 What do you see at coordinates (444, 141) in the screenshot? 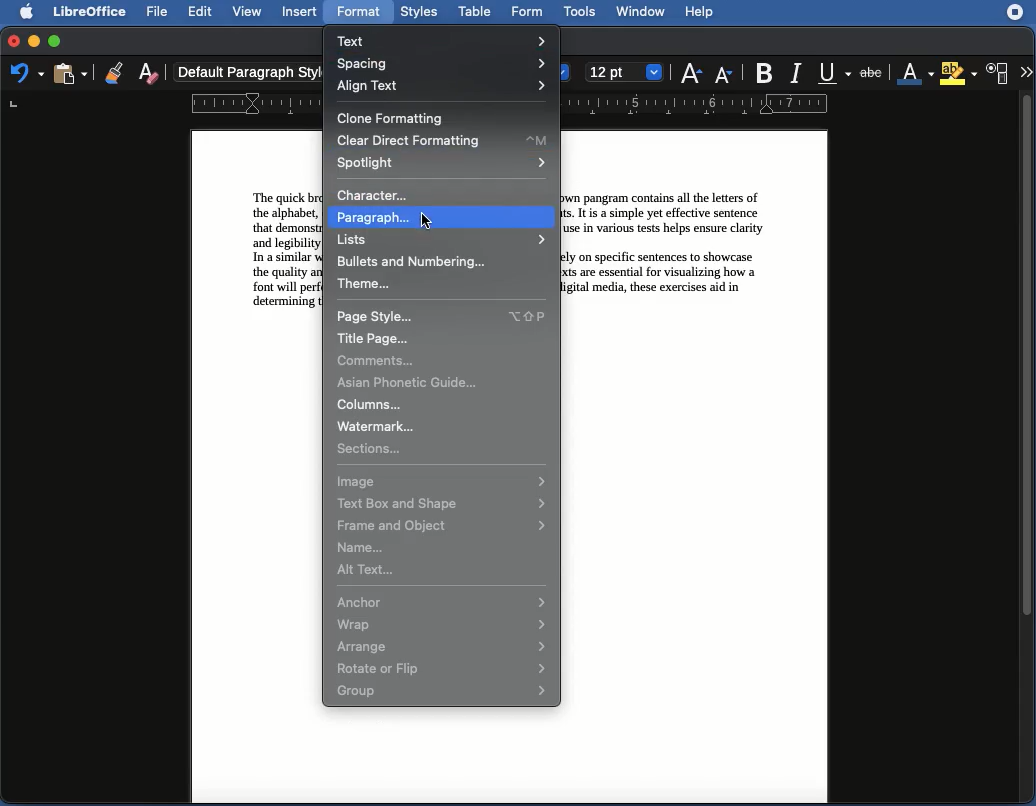
I see `Clear direct formatting` at bounding box center [444, 141].